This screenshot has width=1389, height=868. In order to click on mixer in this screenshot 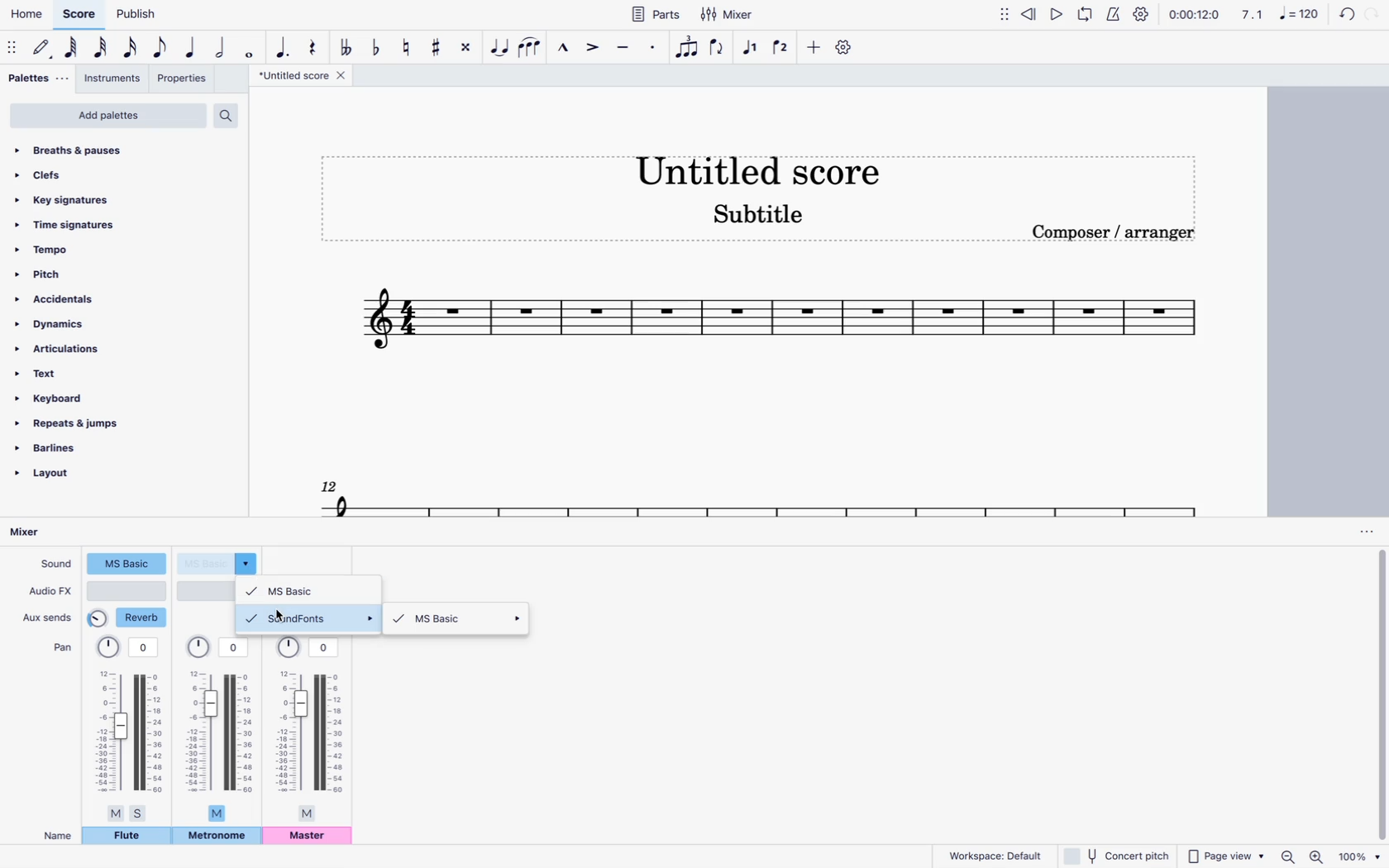, I will do `click(728, 15)`.